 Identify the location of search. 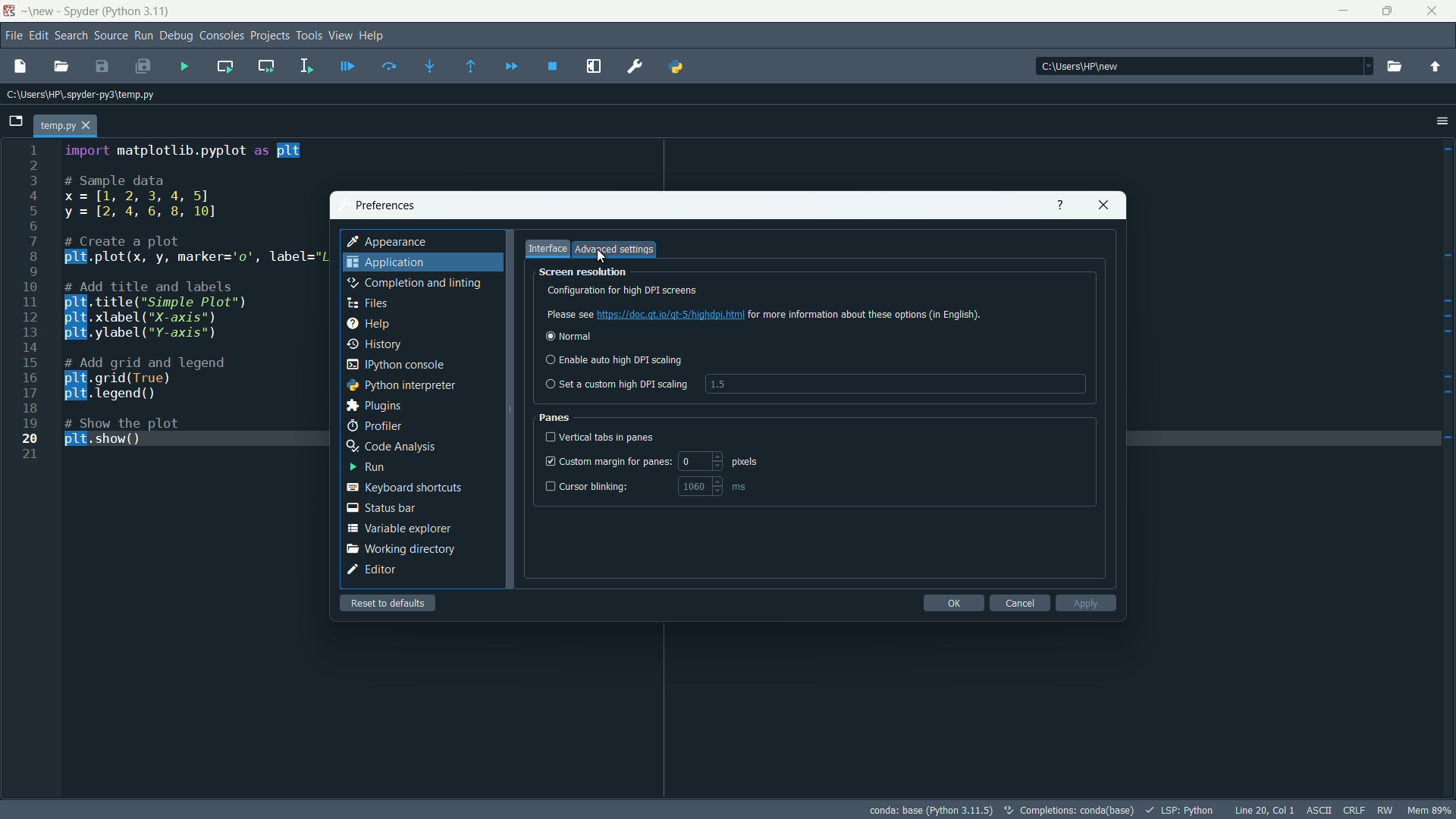
(71, 35).